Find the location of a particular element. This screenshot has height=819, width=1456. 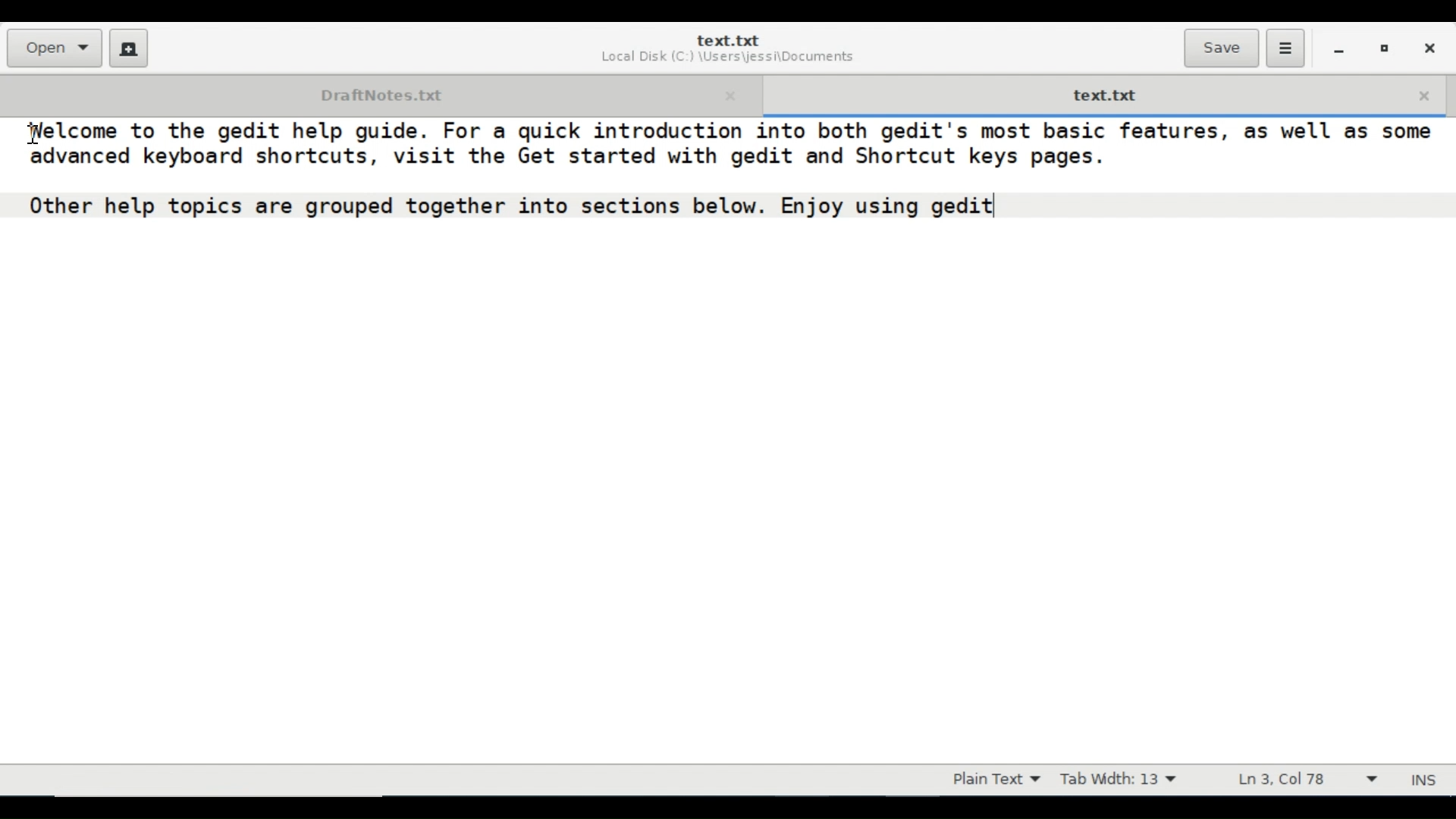

Restore is located at coordinates (1385, 47).